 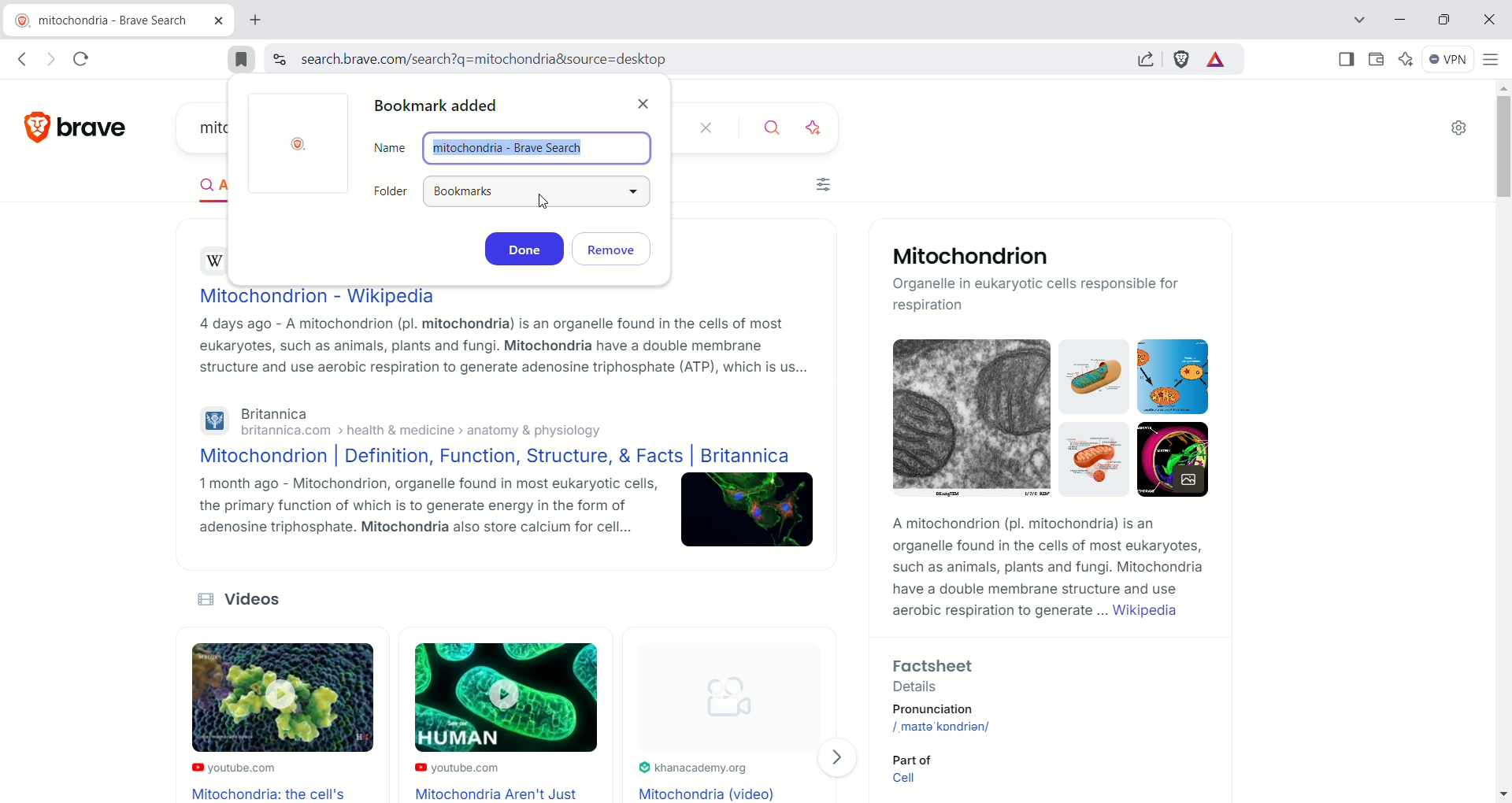 I want to click on Mitochondrion -Organelle in eukaryotic cells responsible for respiration, so click(x=1050, y=280).